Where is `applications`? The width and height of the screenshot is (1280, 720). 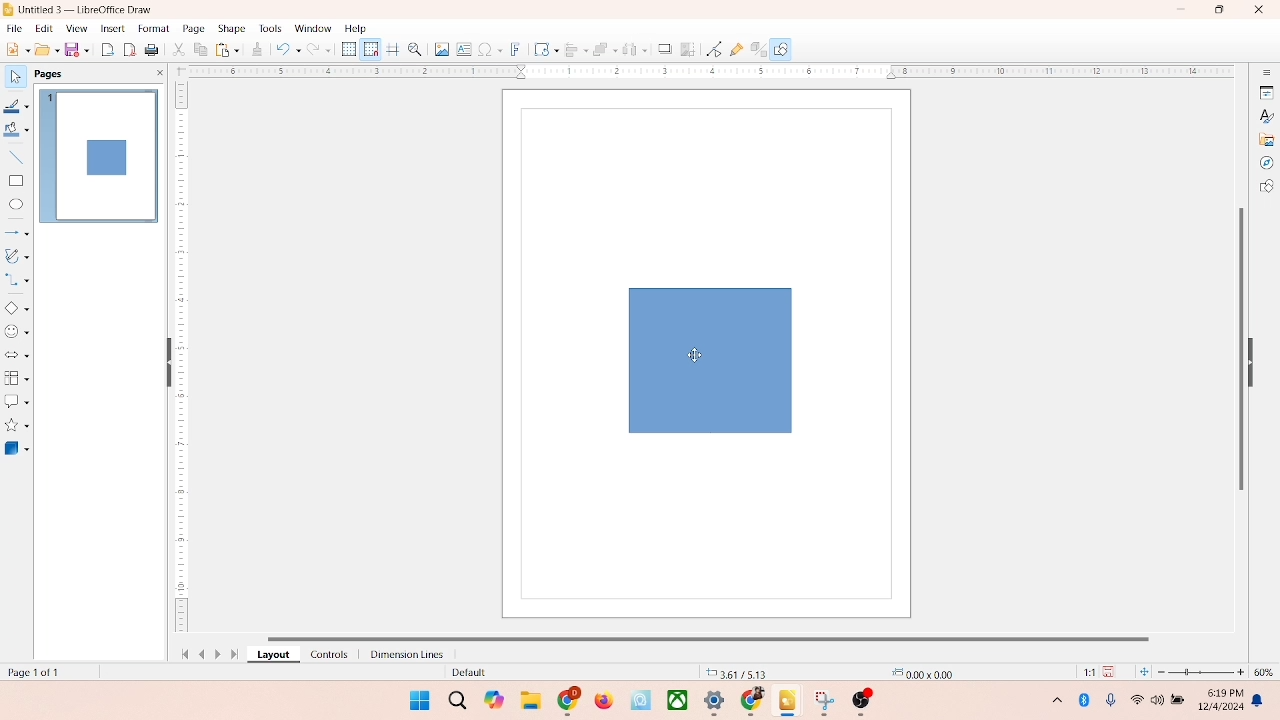
applications is located at coordinates (721, 702).